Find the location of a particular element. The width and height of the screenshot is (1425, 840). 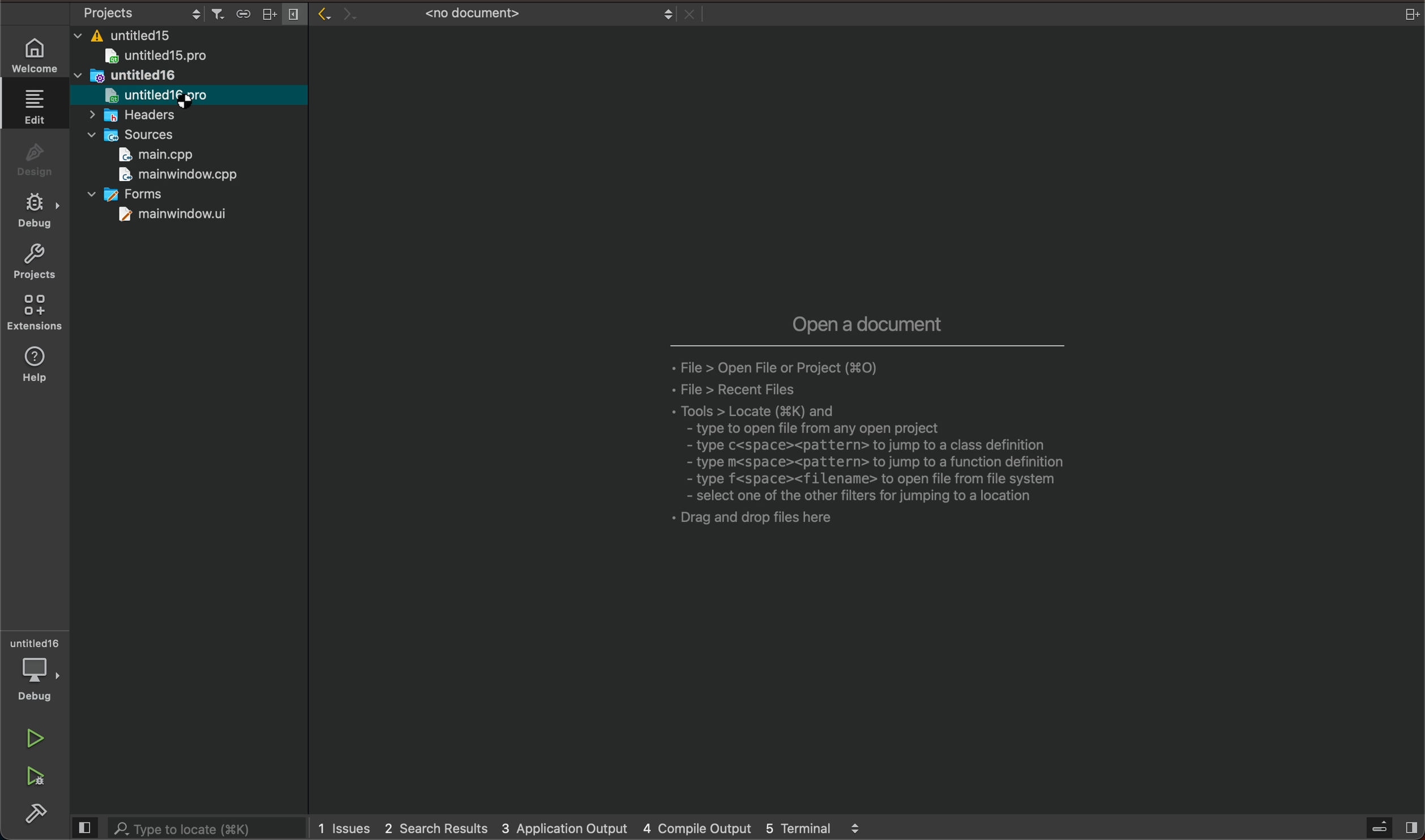

files and folders is located at coordinates (196, 33).